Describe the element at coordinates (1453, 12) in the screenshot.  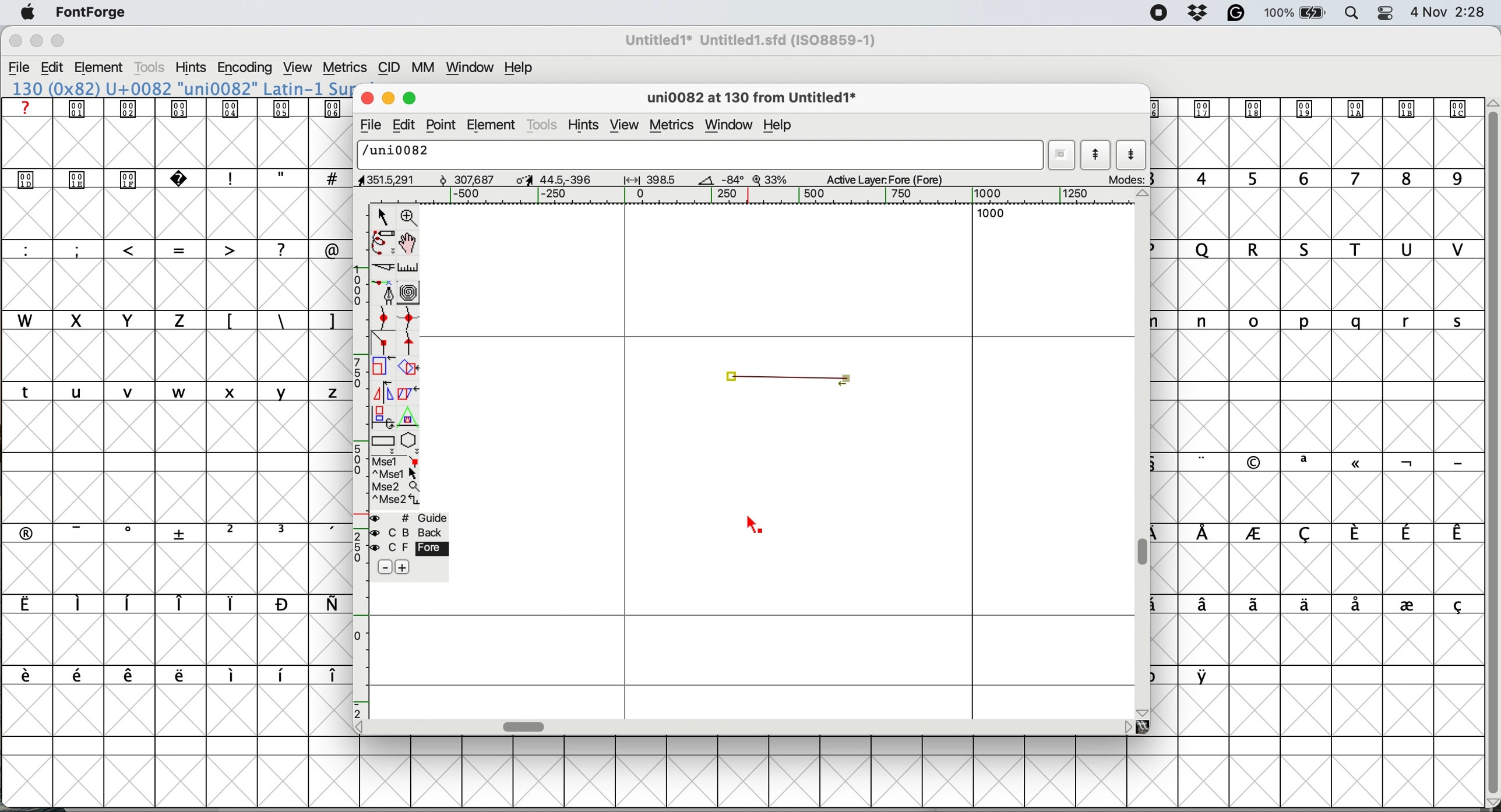
I see `Date and Time` at that location.